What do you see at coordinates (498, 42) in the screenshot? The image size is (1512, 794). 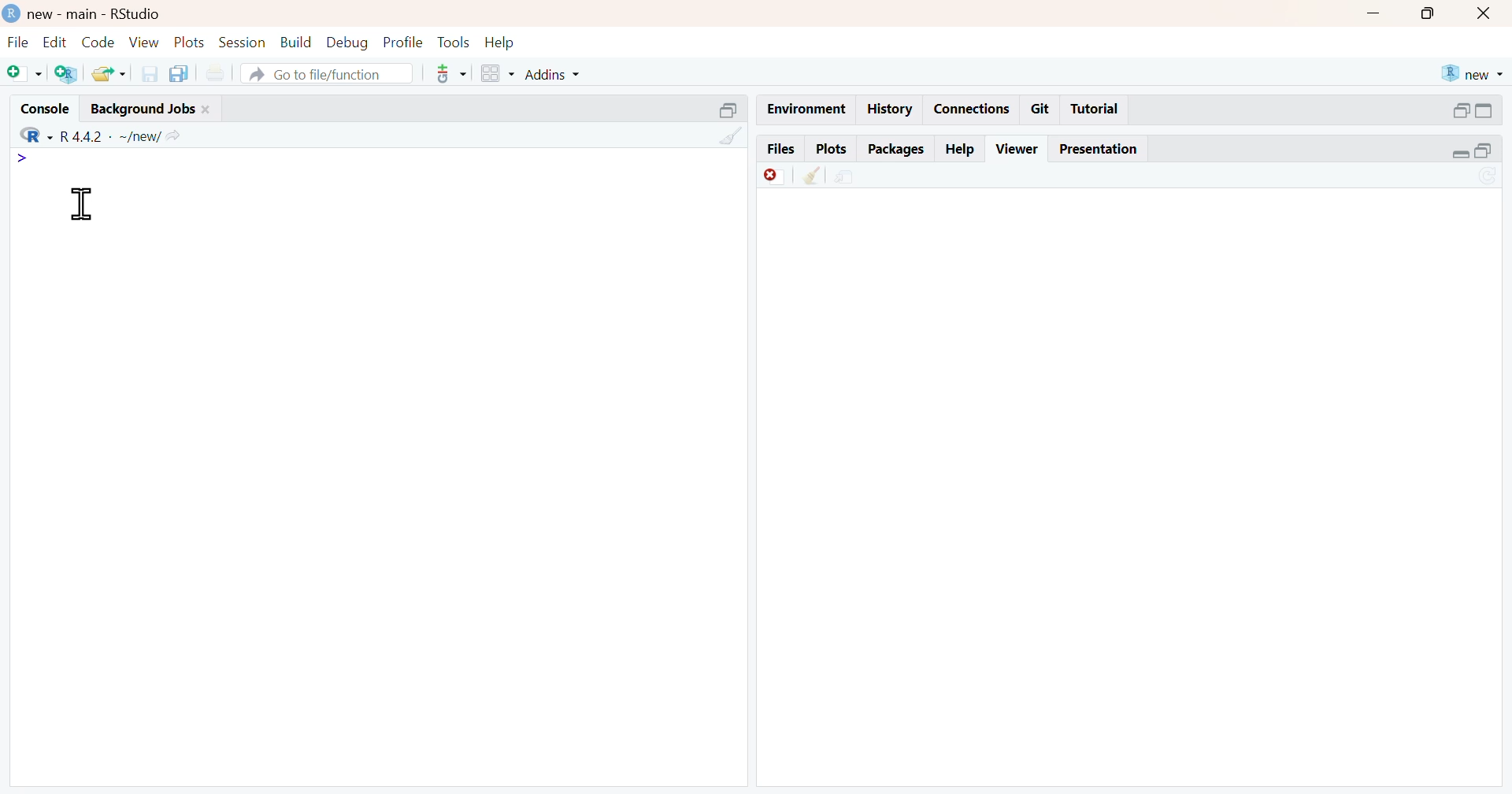 I see `help` at bounding box center [498, 42].